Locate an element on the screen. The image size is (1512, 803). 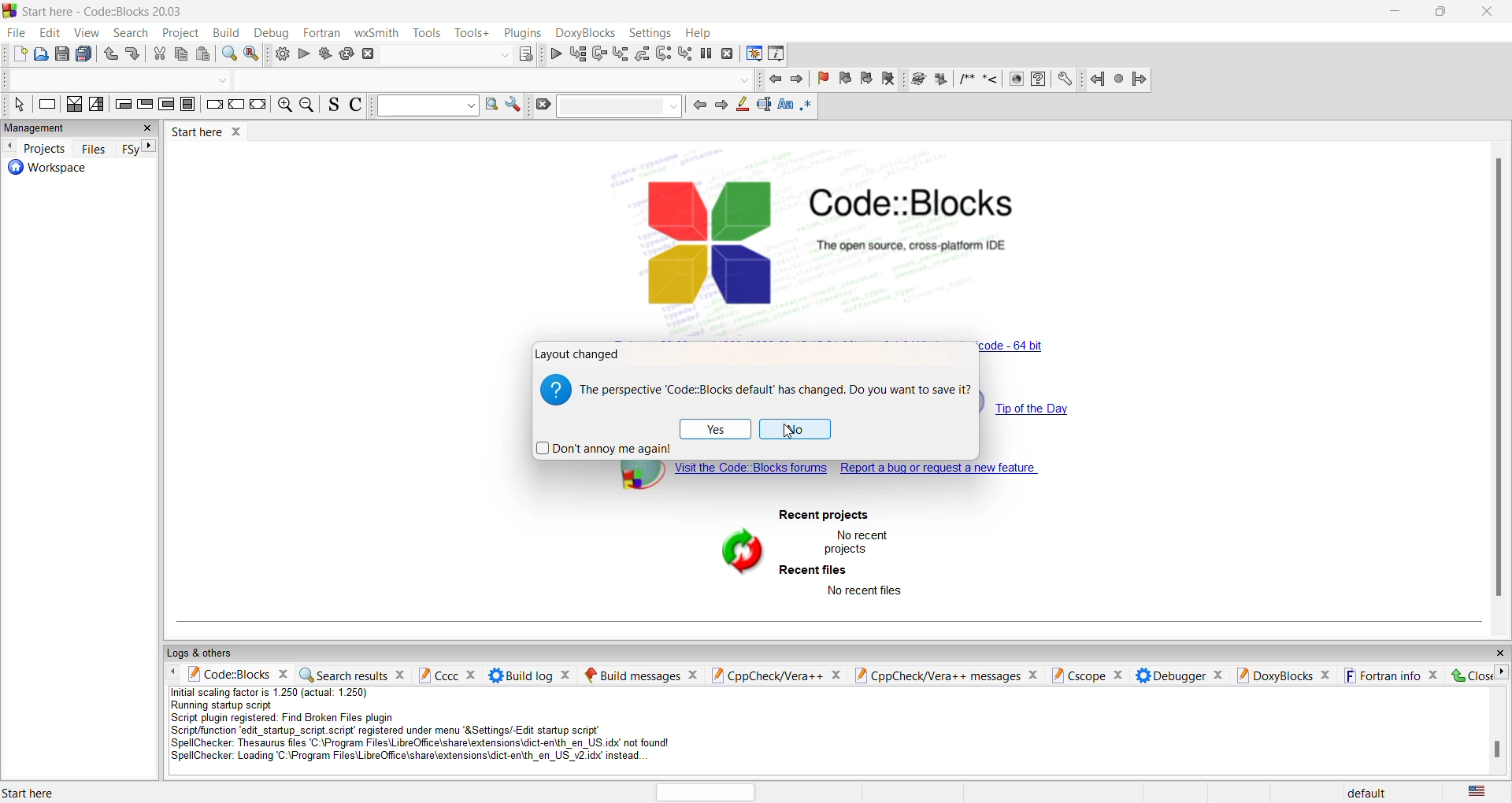
decision is located at coordinates (73, 105).